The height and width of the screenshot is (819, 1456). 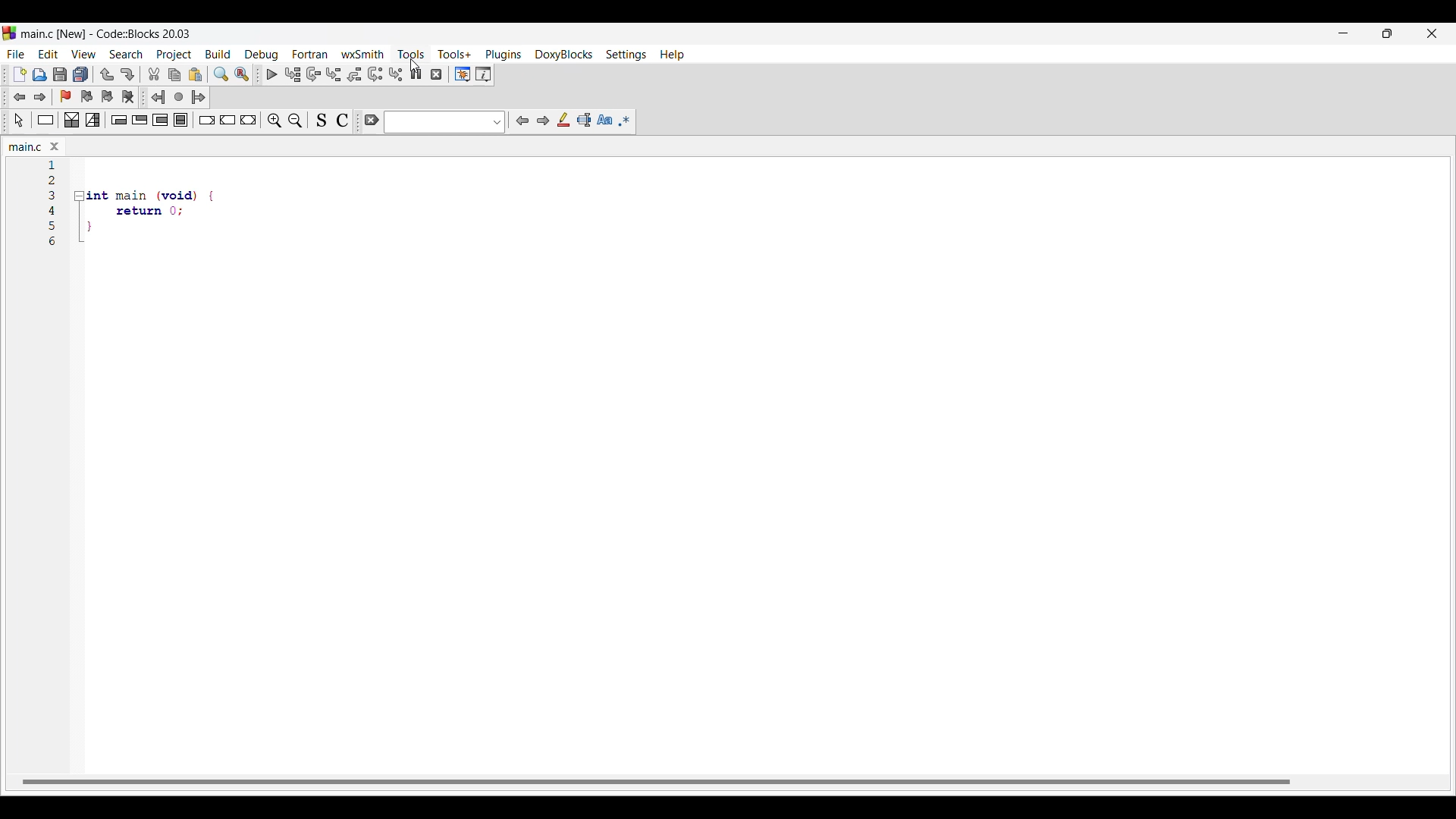 I want to click on Open, so click(x=39, y=75).